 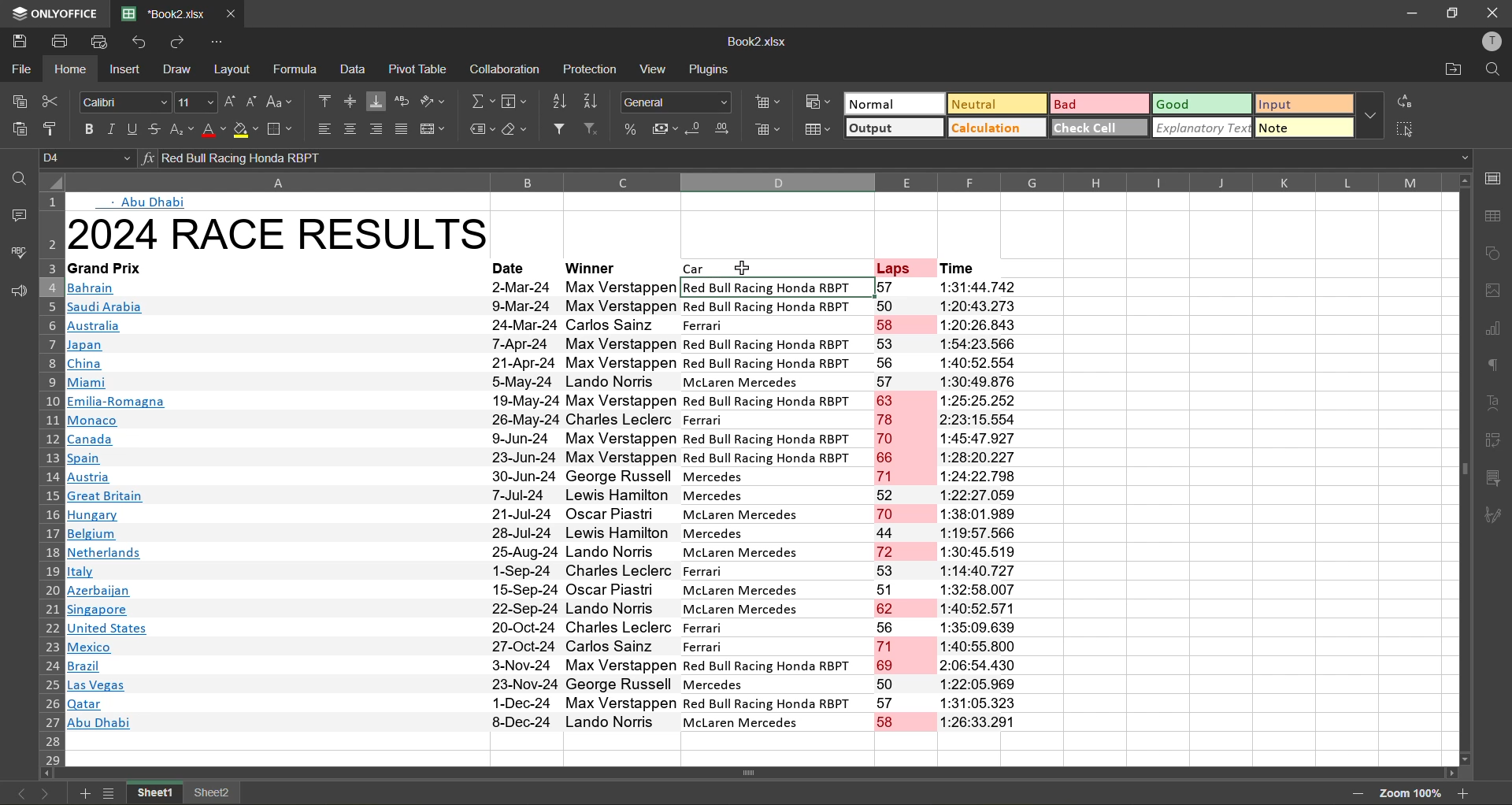 I want to click on accounting, so click(x=663, y=130).